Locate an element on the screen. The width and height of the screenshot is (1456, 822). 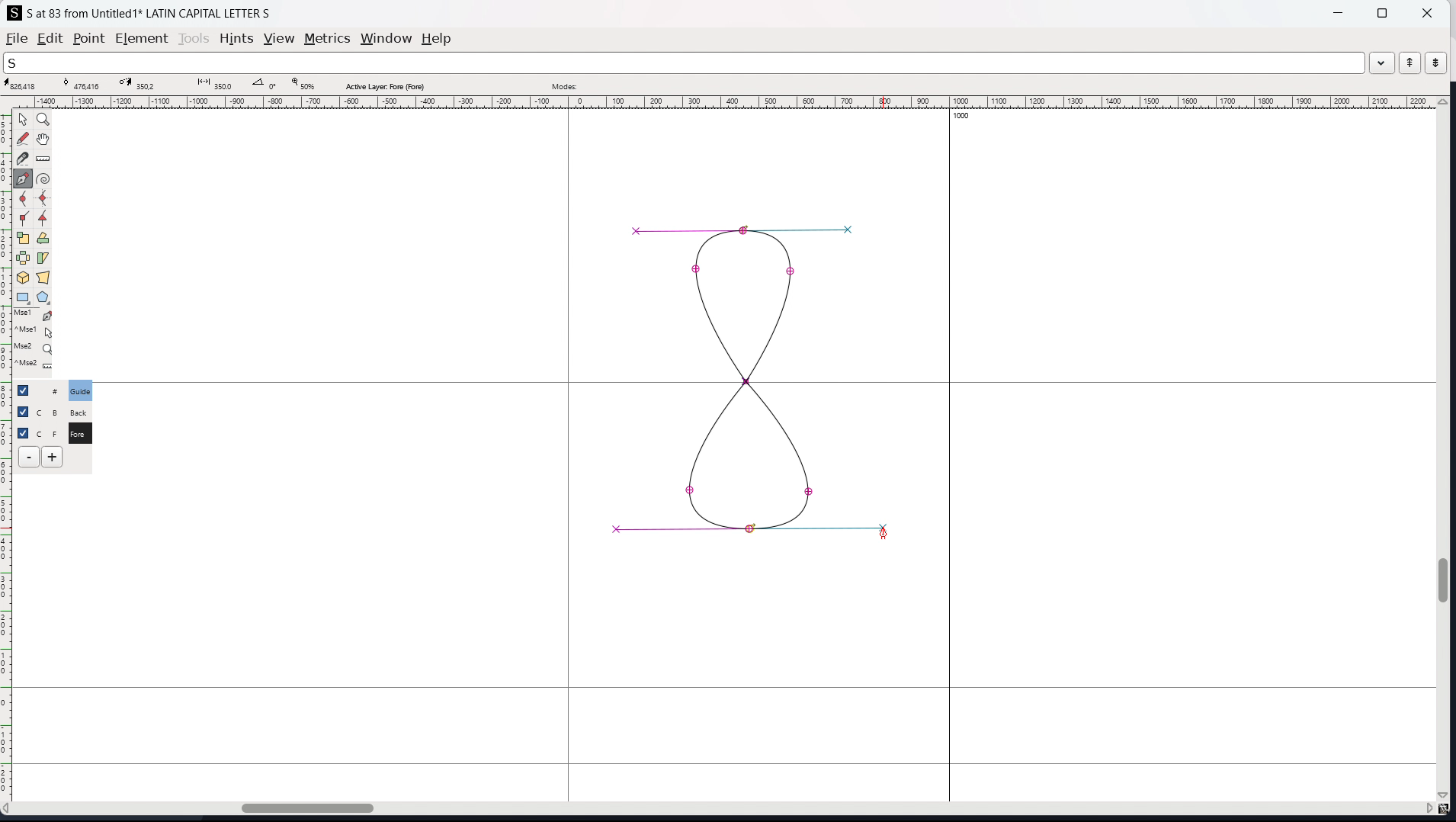
1000 is located at coordinates (966, 117).